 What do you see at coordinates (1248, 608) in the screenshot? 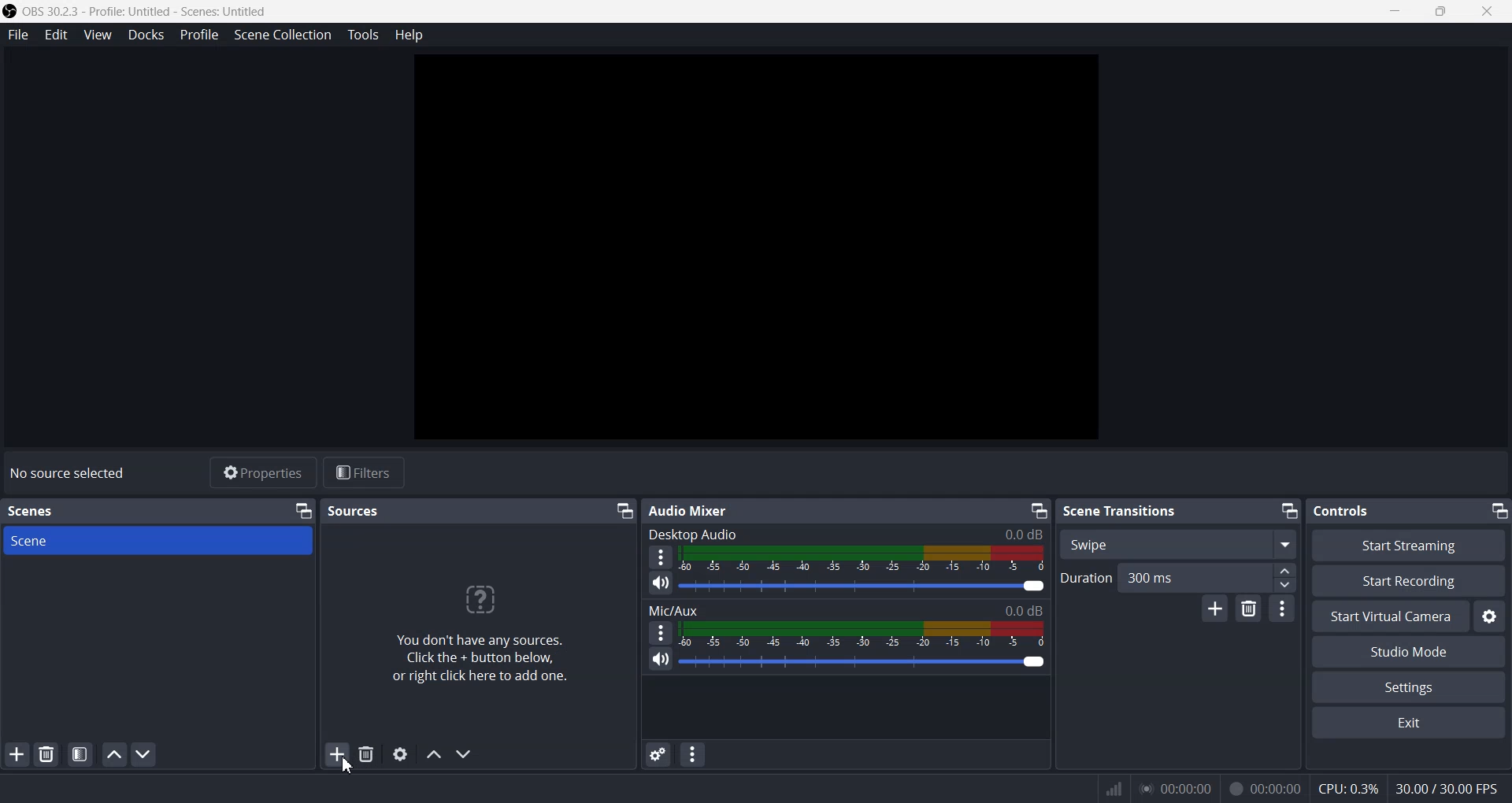
I see `Remove configuration transition` at bounding box center [1248, 608].